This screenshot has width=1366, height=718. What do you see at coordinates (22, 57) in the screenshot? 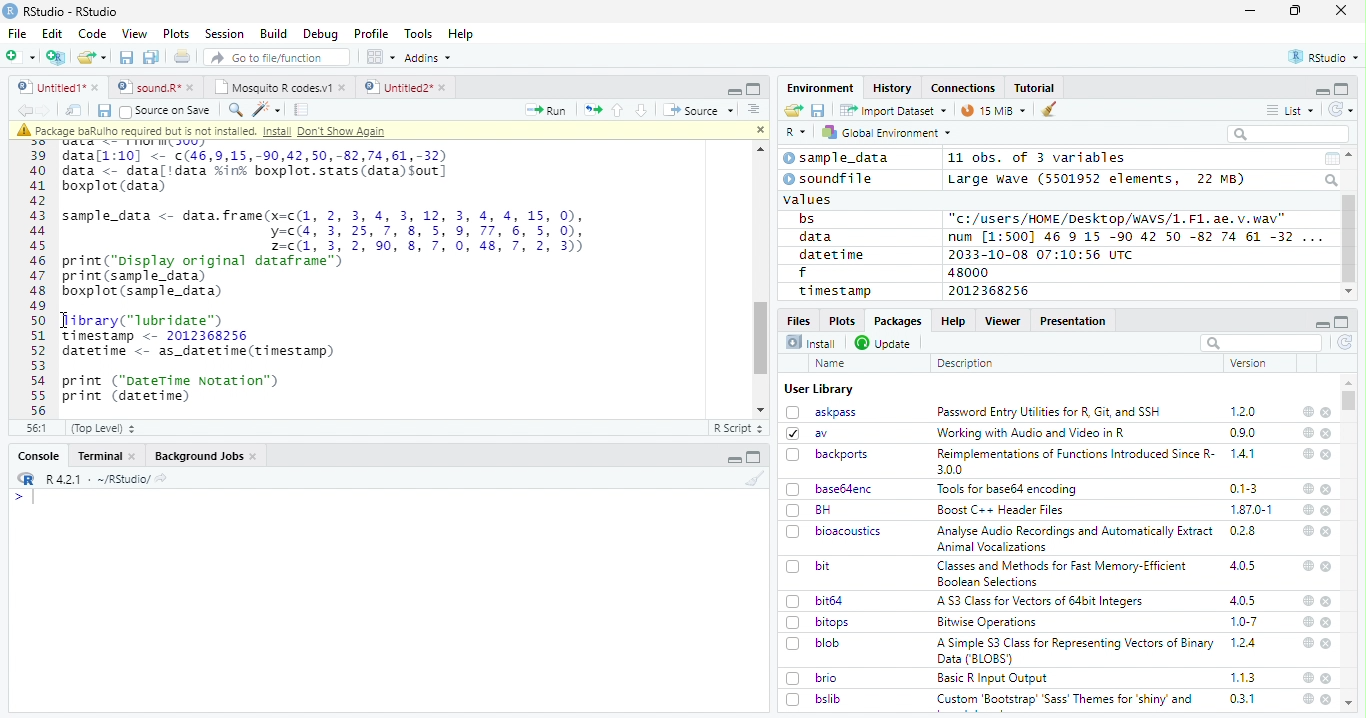
I see `New file` at bounding box center [22, 57].